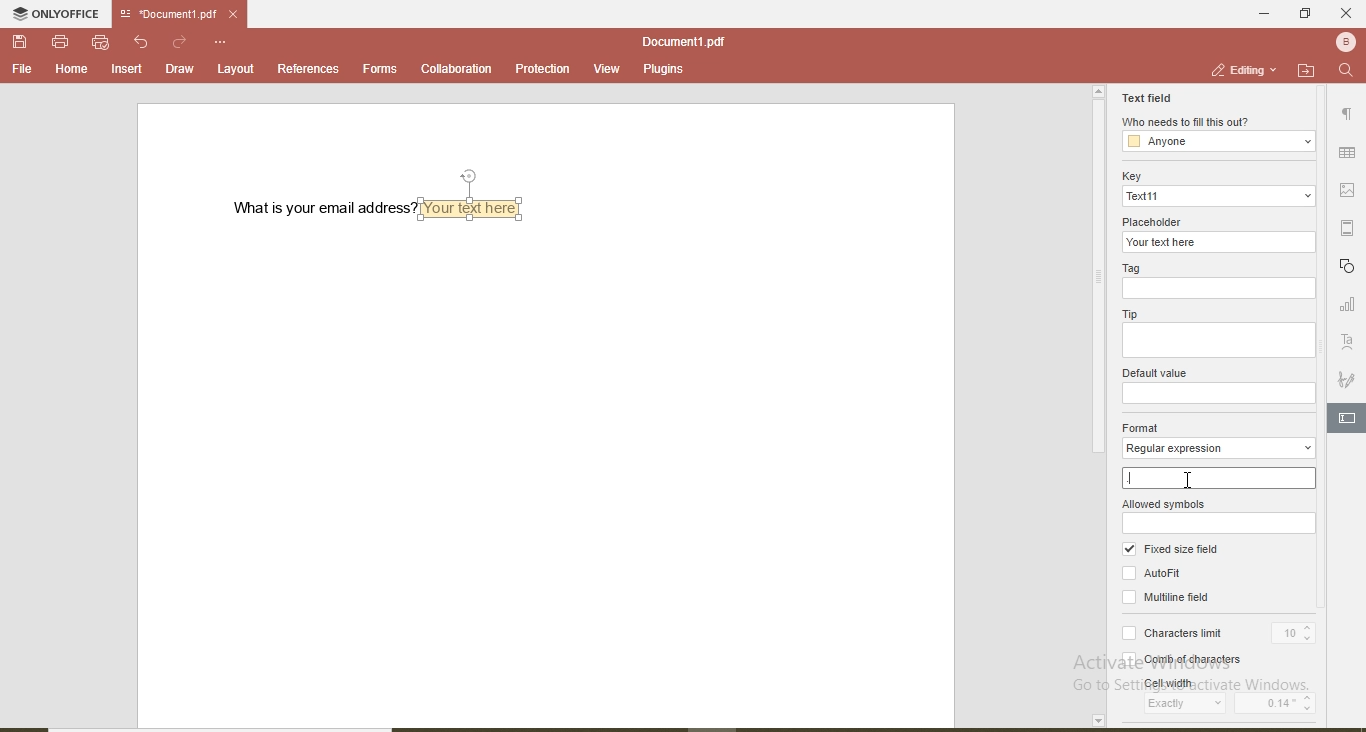 This screenshot has height=732, width=1366. Describe the element at coordinates (1096, 280) in the screenshot. I see `vertical scroll bar` at that location.